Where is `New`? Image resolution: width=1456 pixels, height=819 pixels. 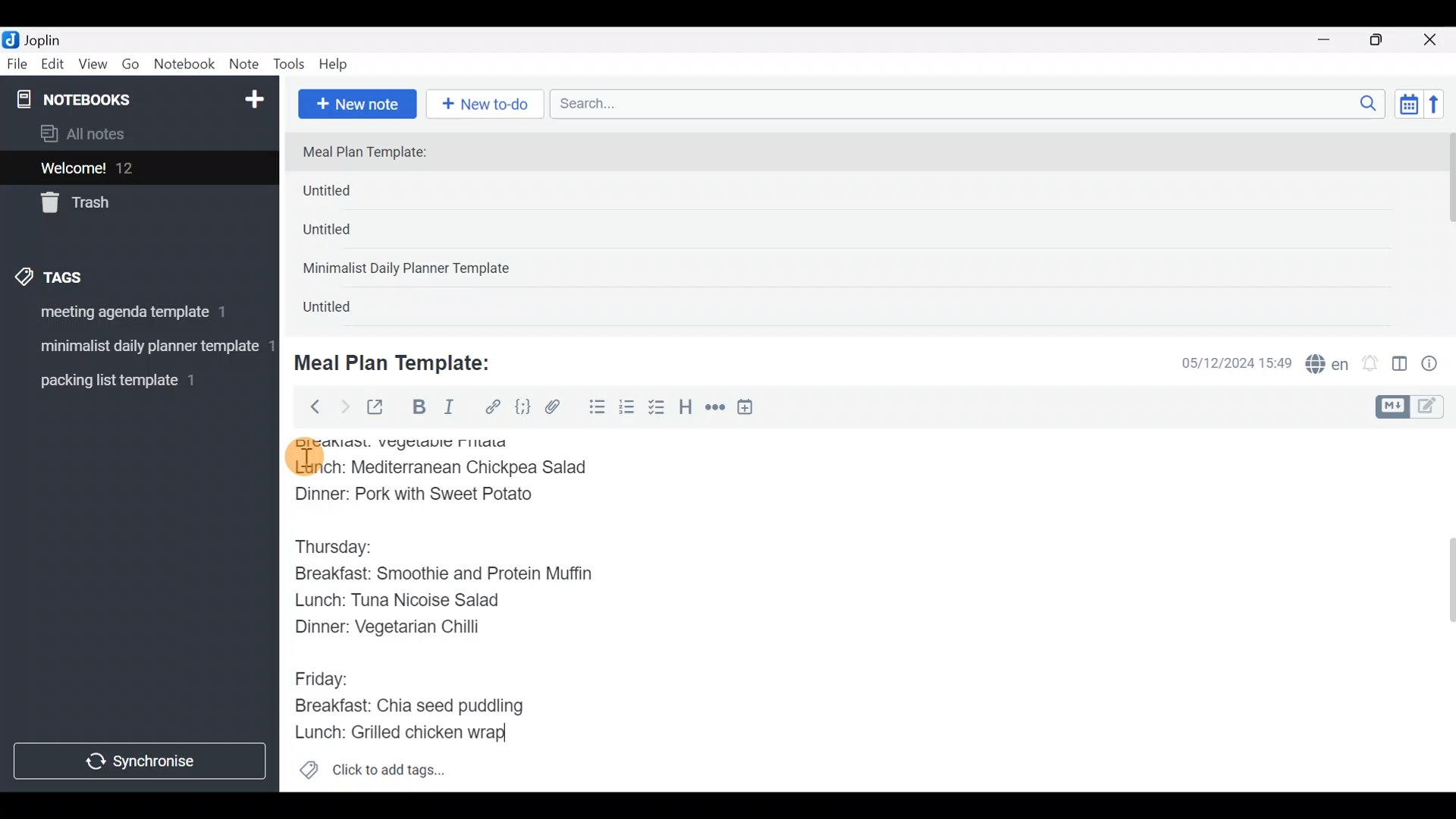 New is located at coordinates (253, 96).